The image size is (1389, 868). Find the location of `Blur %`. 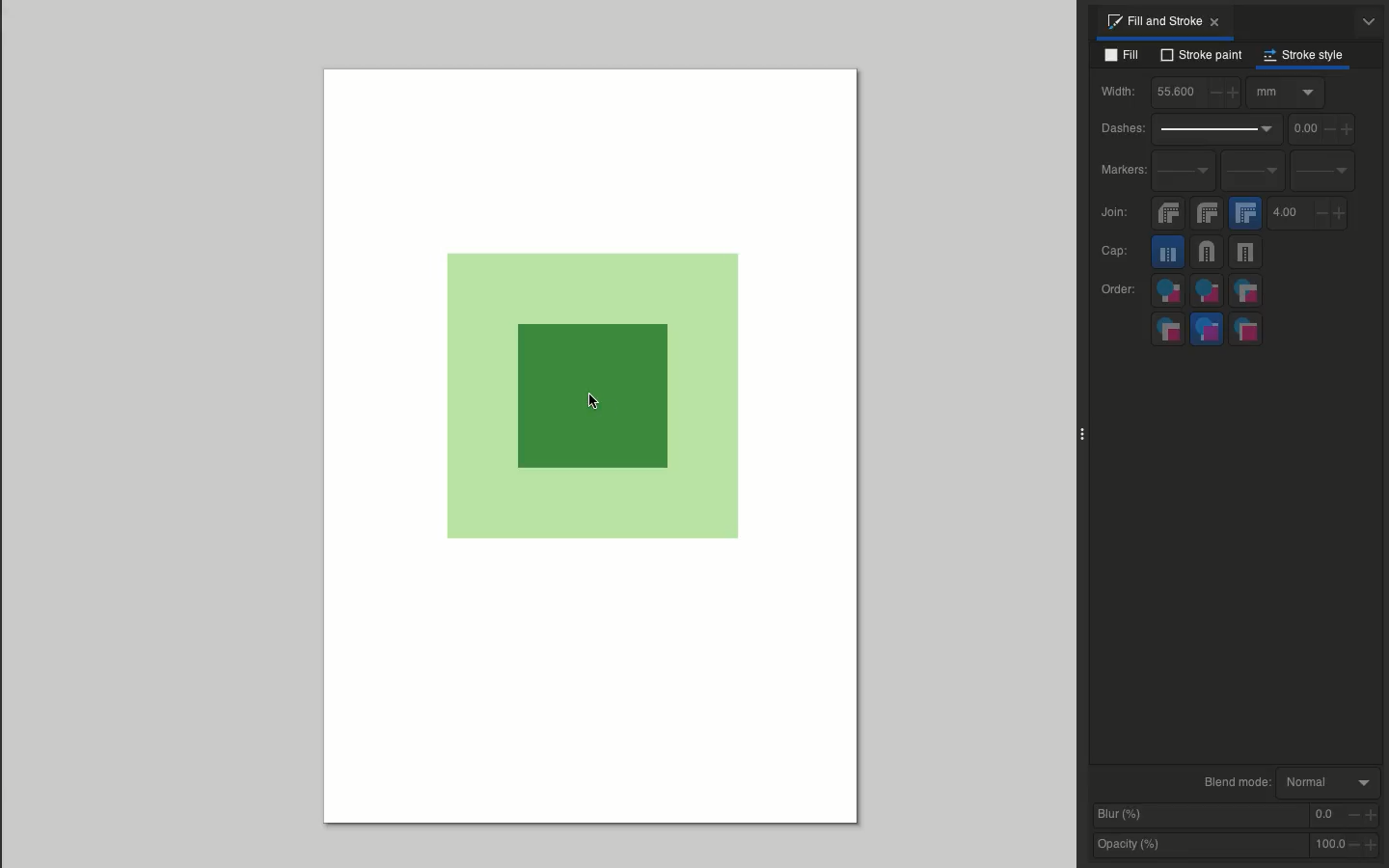

Blur % is located at coordinates (1199, 817).